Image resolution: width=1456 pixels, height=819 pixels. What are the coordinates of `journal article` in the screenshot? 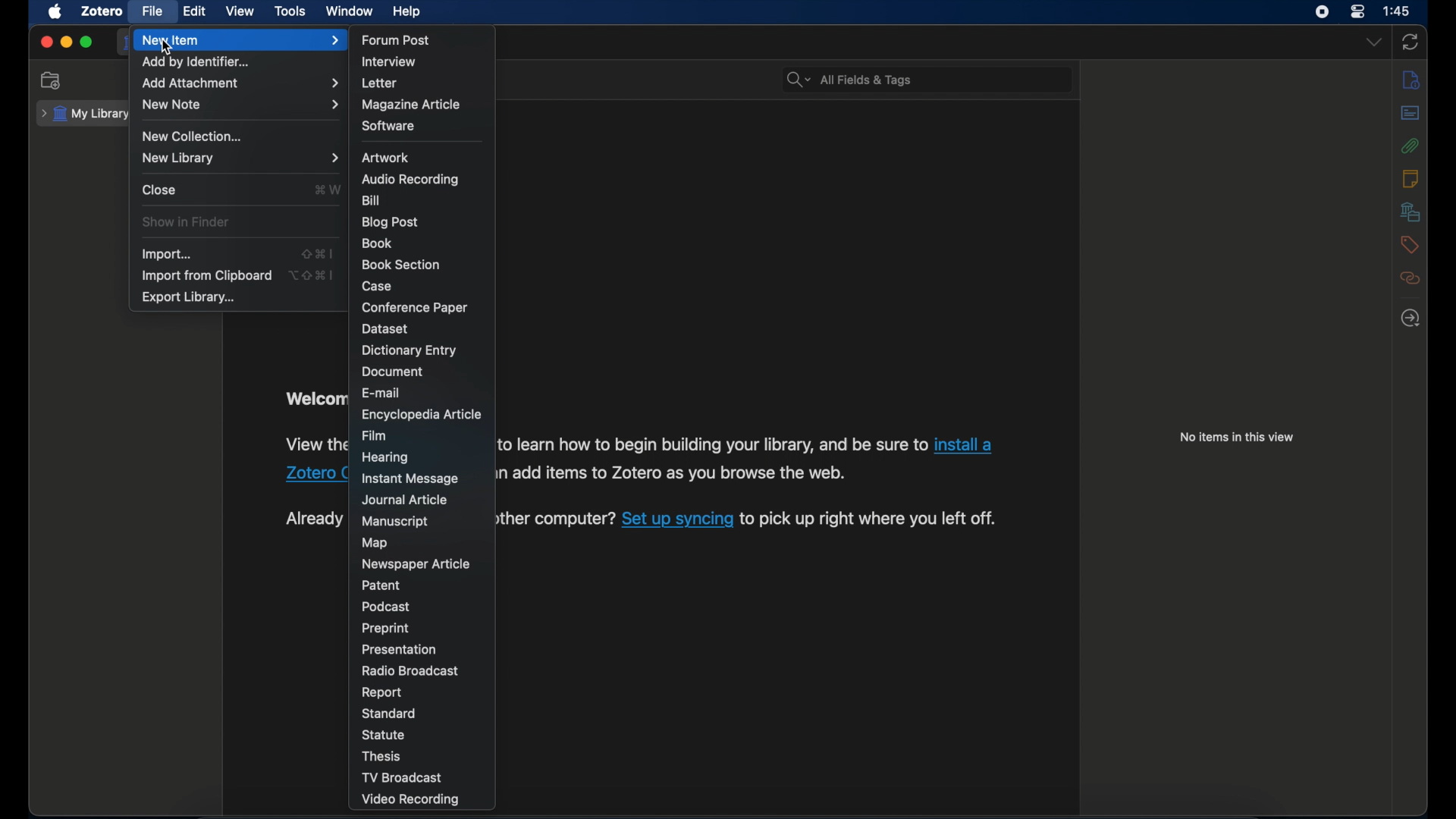 It's located at (403, 500).